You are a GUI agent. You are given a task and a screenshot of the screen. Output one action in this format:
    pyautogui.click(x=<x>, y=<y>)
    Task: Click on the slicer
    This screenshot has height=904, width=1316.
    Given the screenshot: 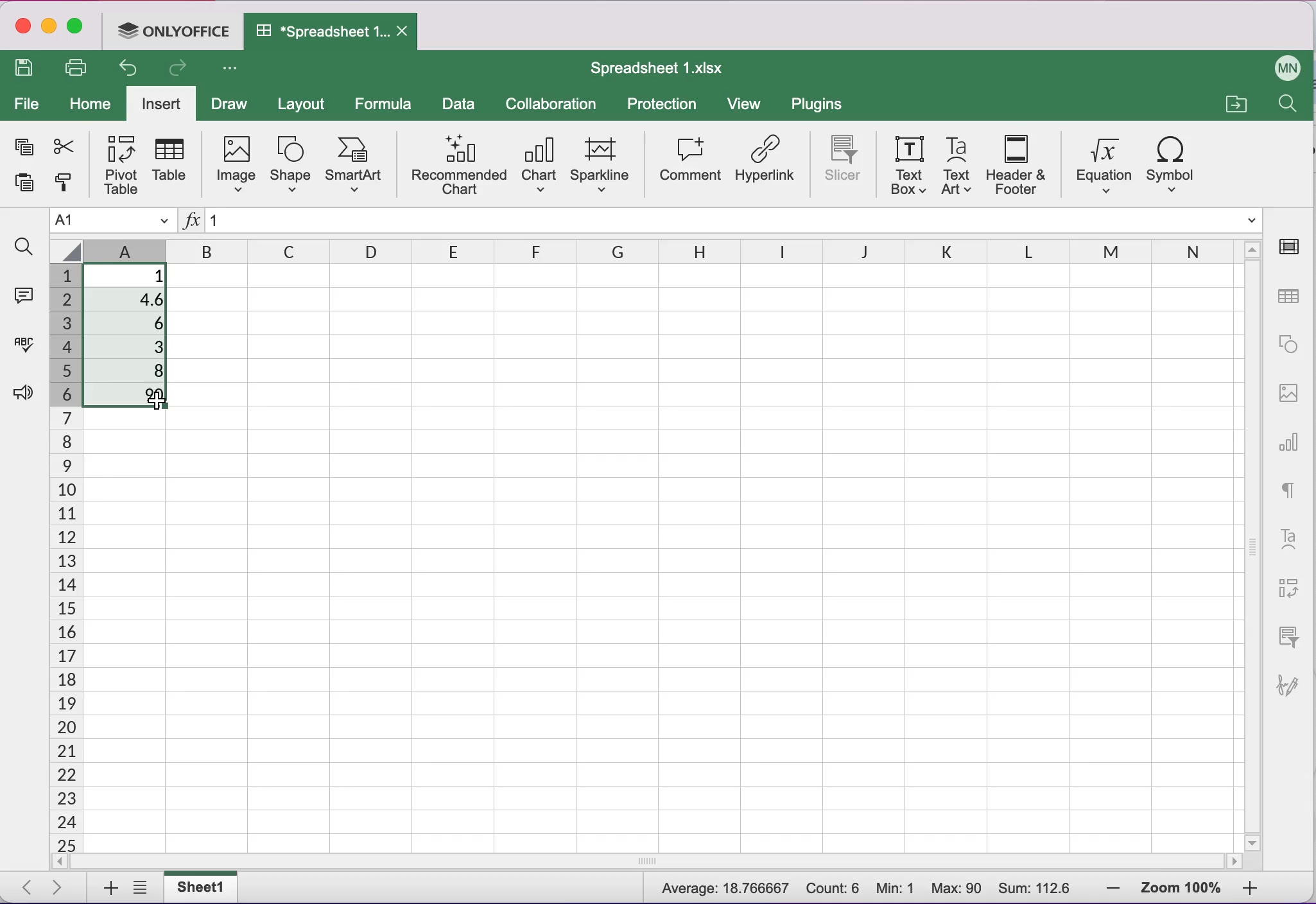 What is the action you would take?
    pyautogui.click(x=839, y=161)
    